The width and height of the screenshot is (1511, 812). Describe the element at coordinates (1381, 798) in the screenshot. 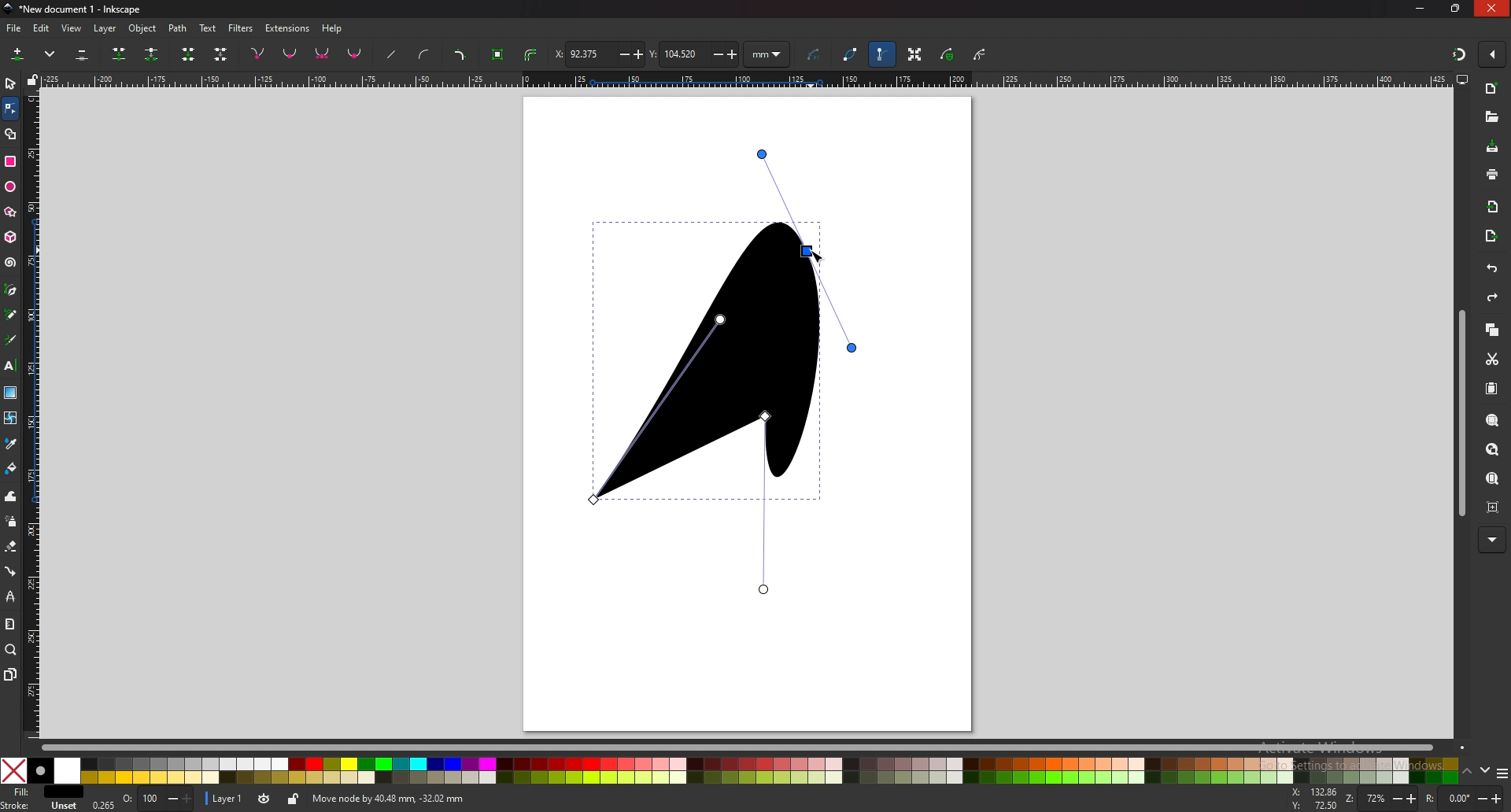

I see `zoom` at that location.